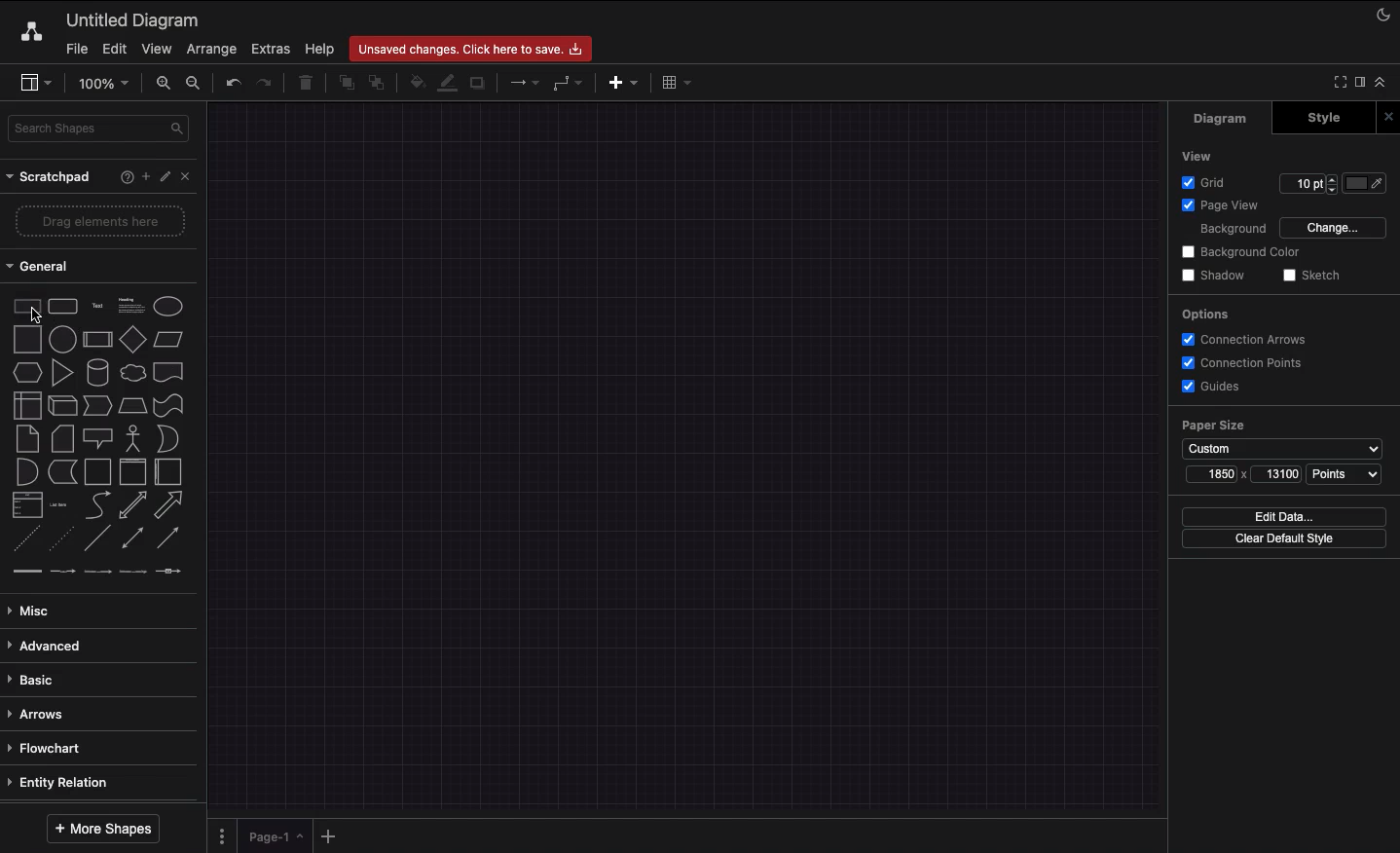  I want to click on Scratchpad , so click(48, 178).